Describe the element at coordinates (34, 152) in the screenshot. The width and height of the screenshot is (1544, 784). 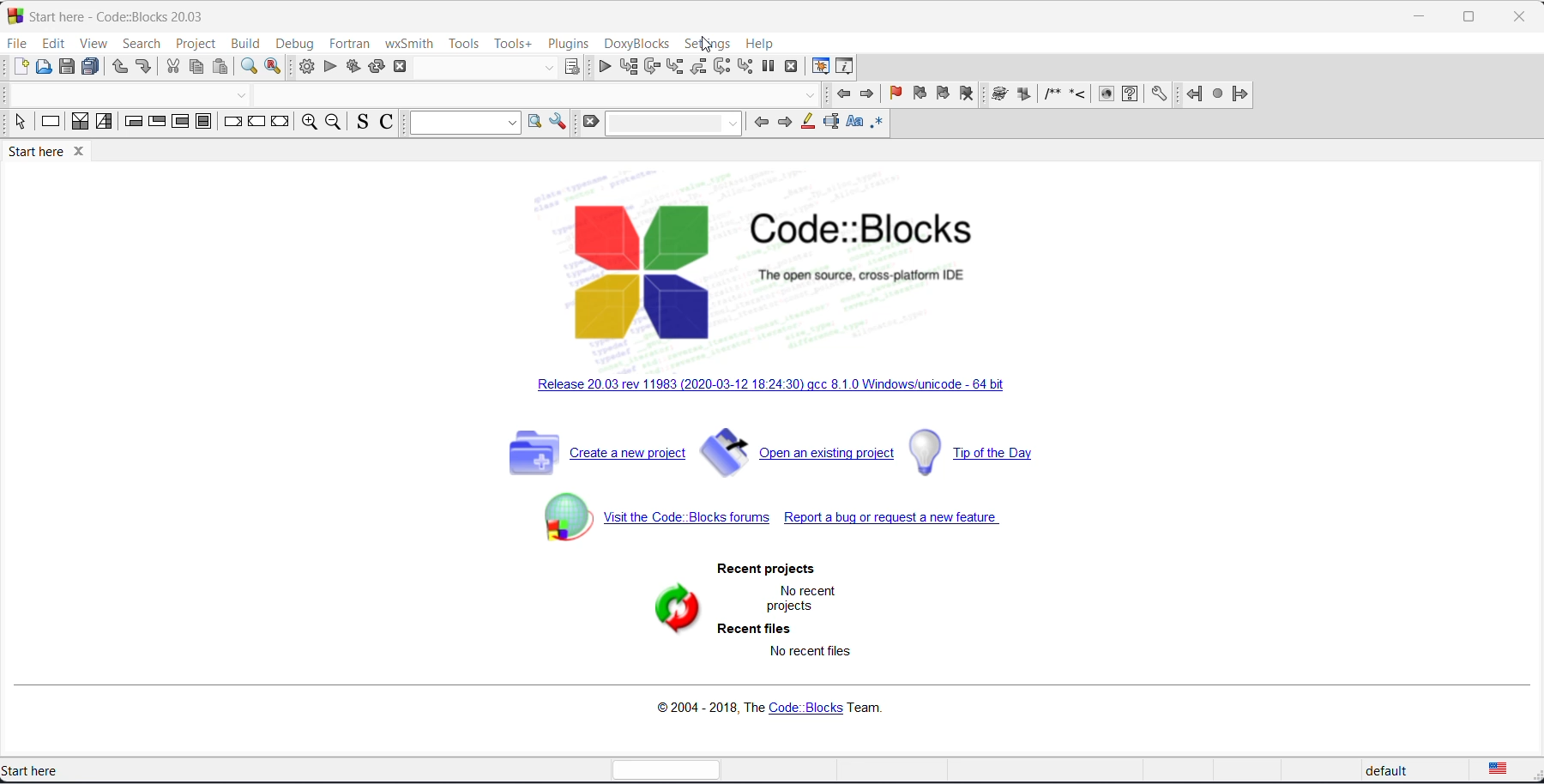
I see `start here pane` at that location.